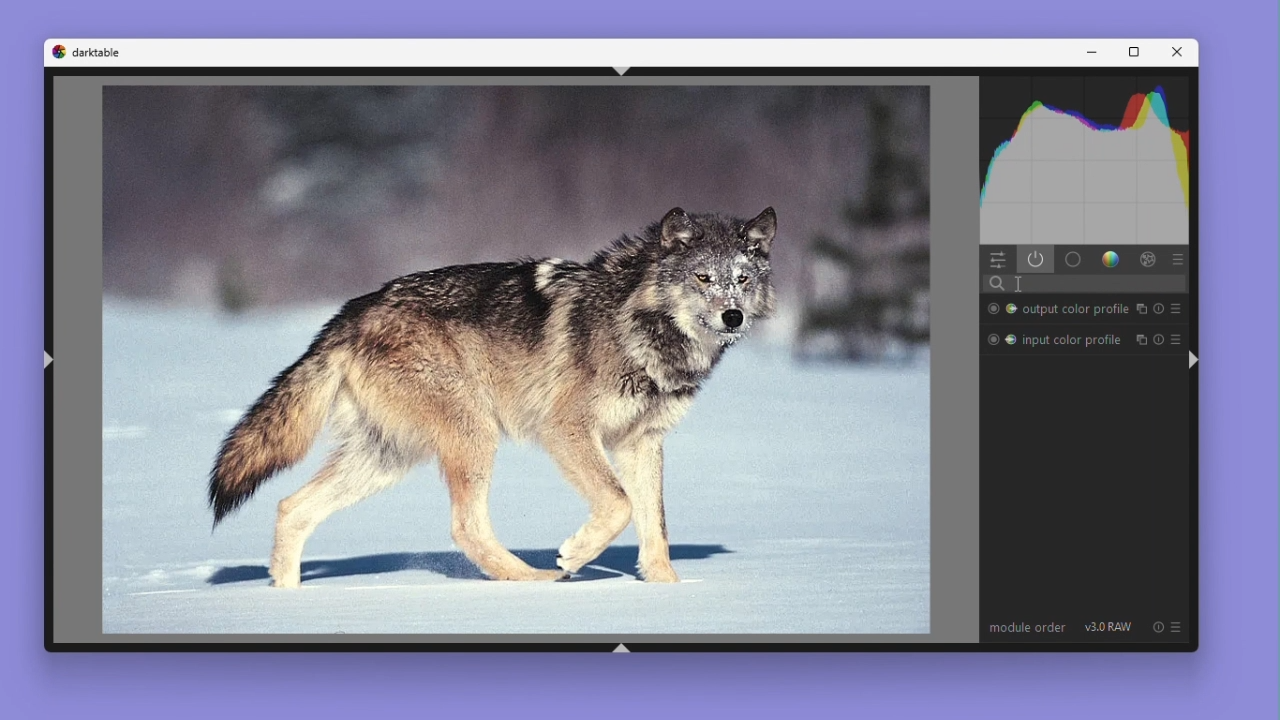 This screenshot has width=1280, height=720. I want to click on base, so click(1073, 259).